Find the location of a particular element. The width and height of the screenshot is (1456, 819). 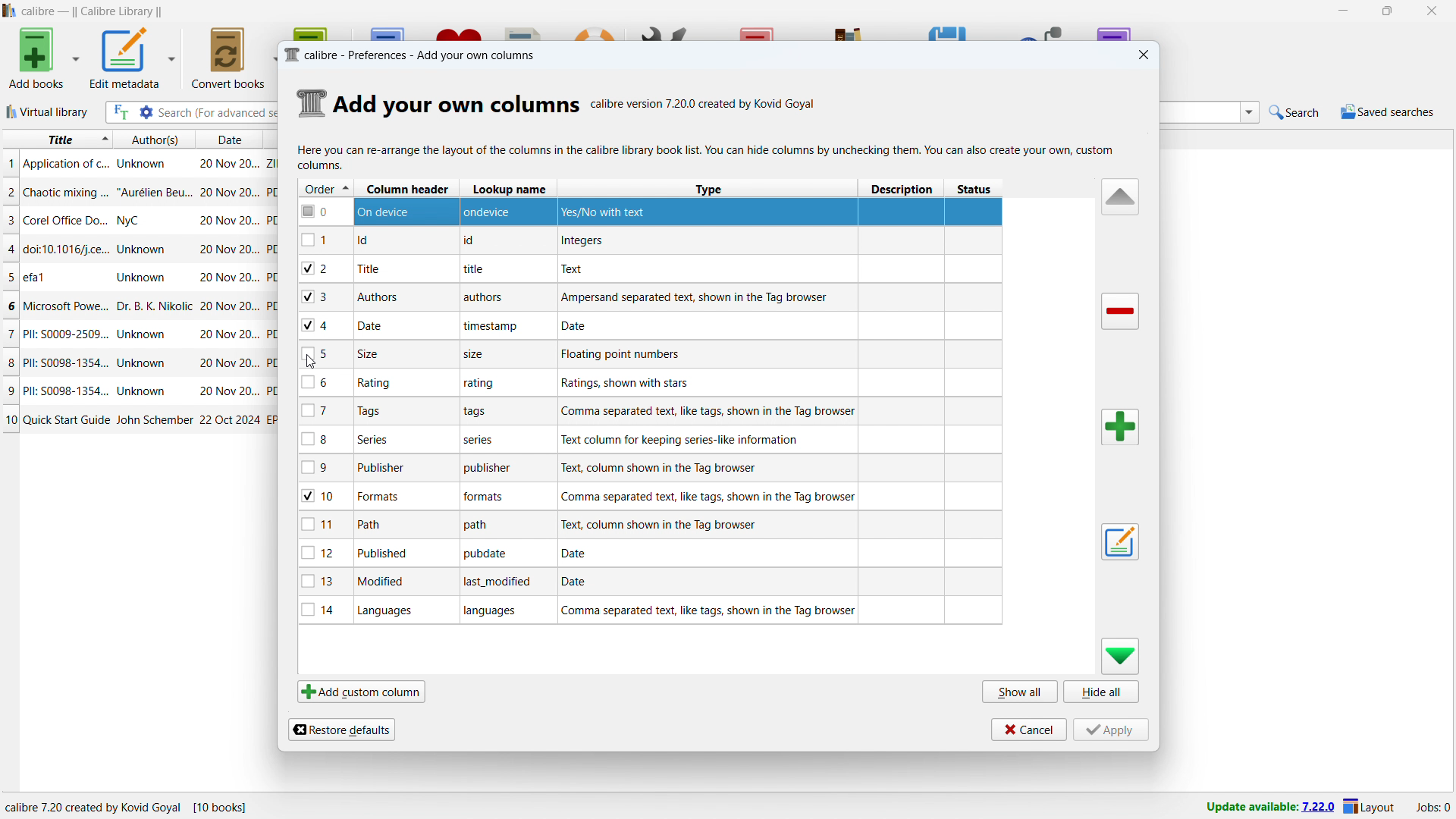

Add your own columns is located at coordinates (457, 103).